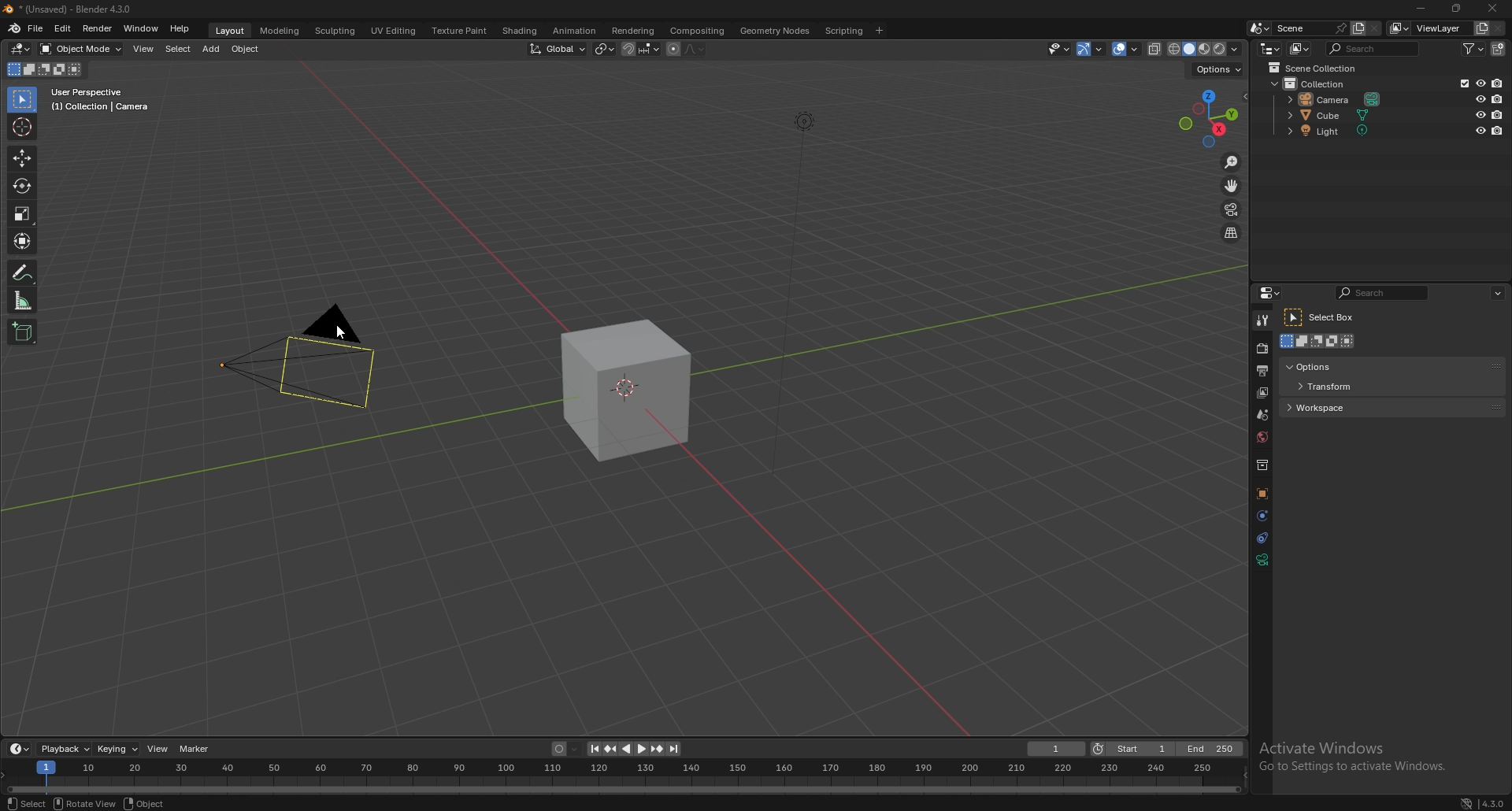  I want to click on seek, so click(624, 777).